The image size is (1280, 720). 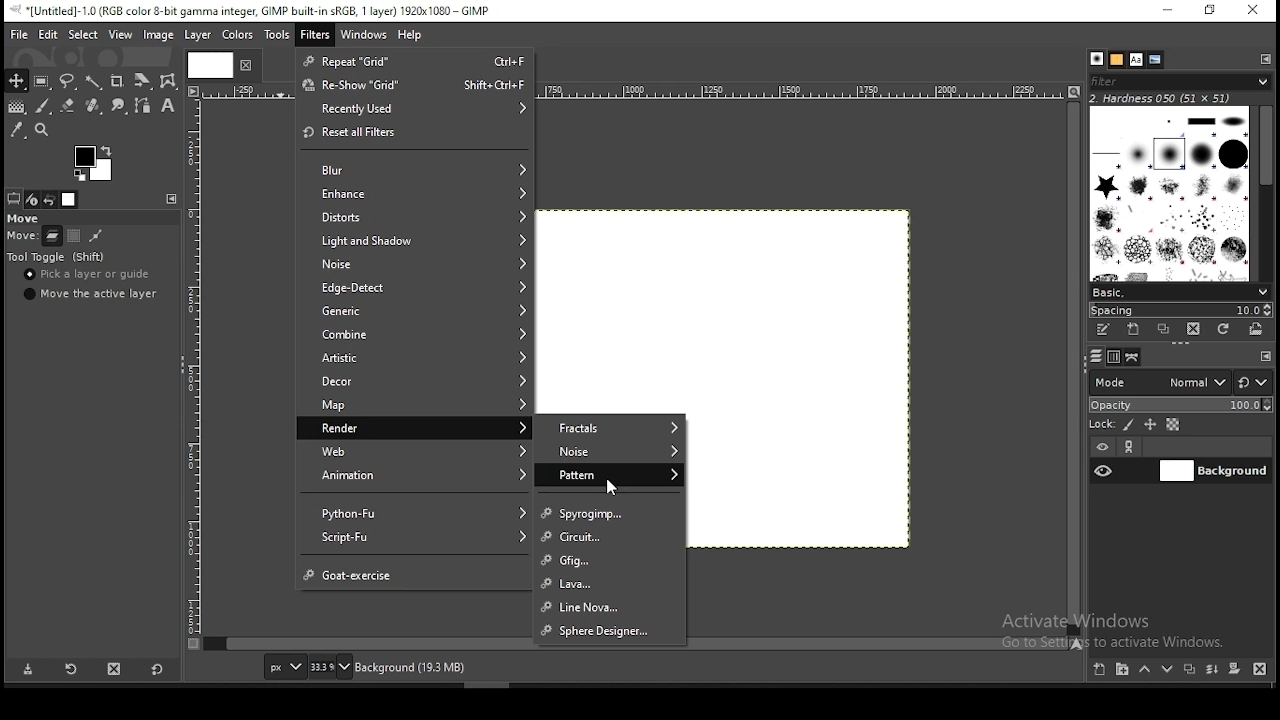 I want to click on animation, so click(x=412, y=476).